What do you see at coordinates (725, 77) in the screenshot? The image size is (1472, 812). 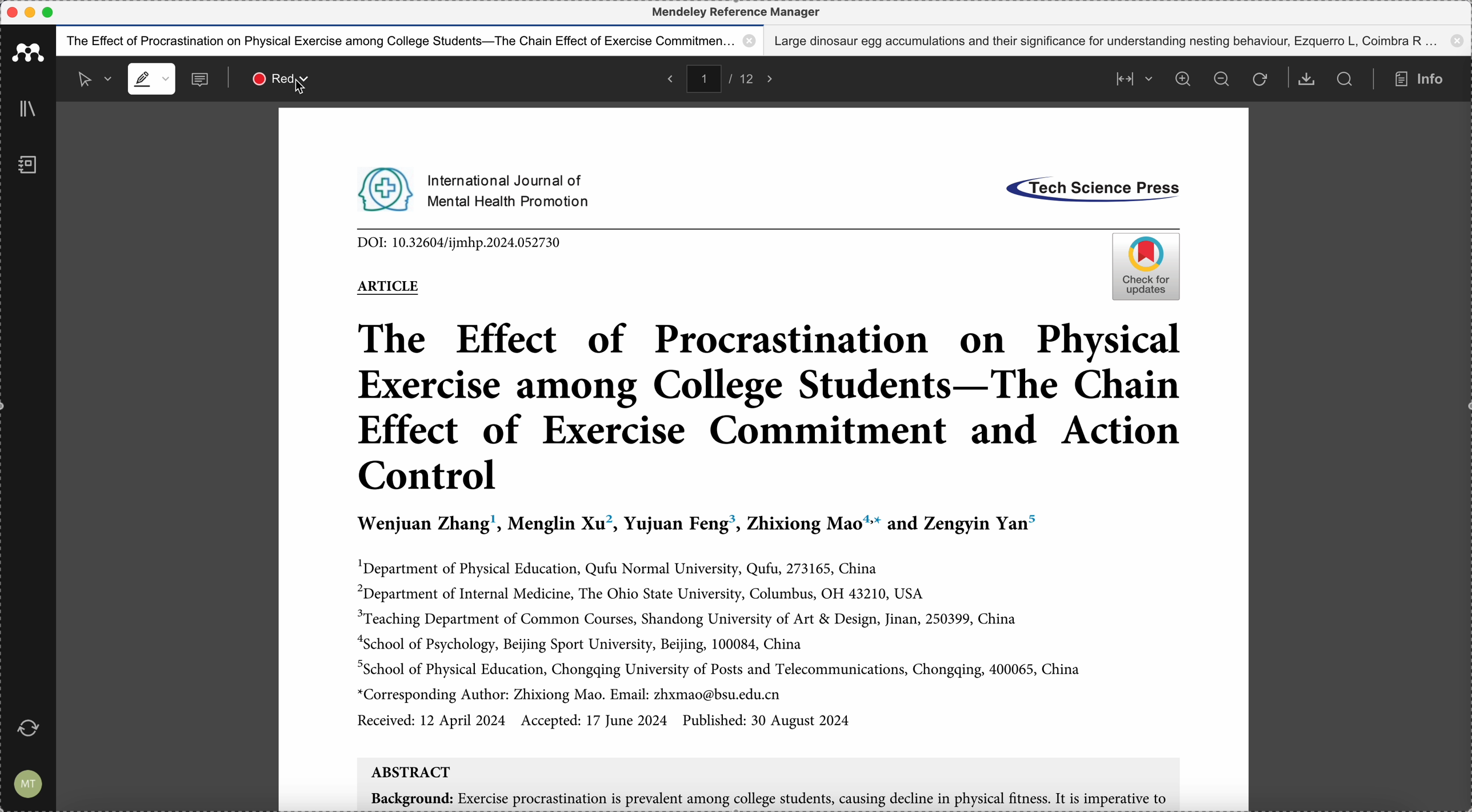 I see `pages` at bounding box center [725, 77].